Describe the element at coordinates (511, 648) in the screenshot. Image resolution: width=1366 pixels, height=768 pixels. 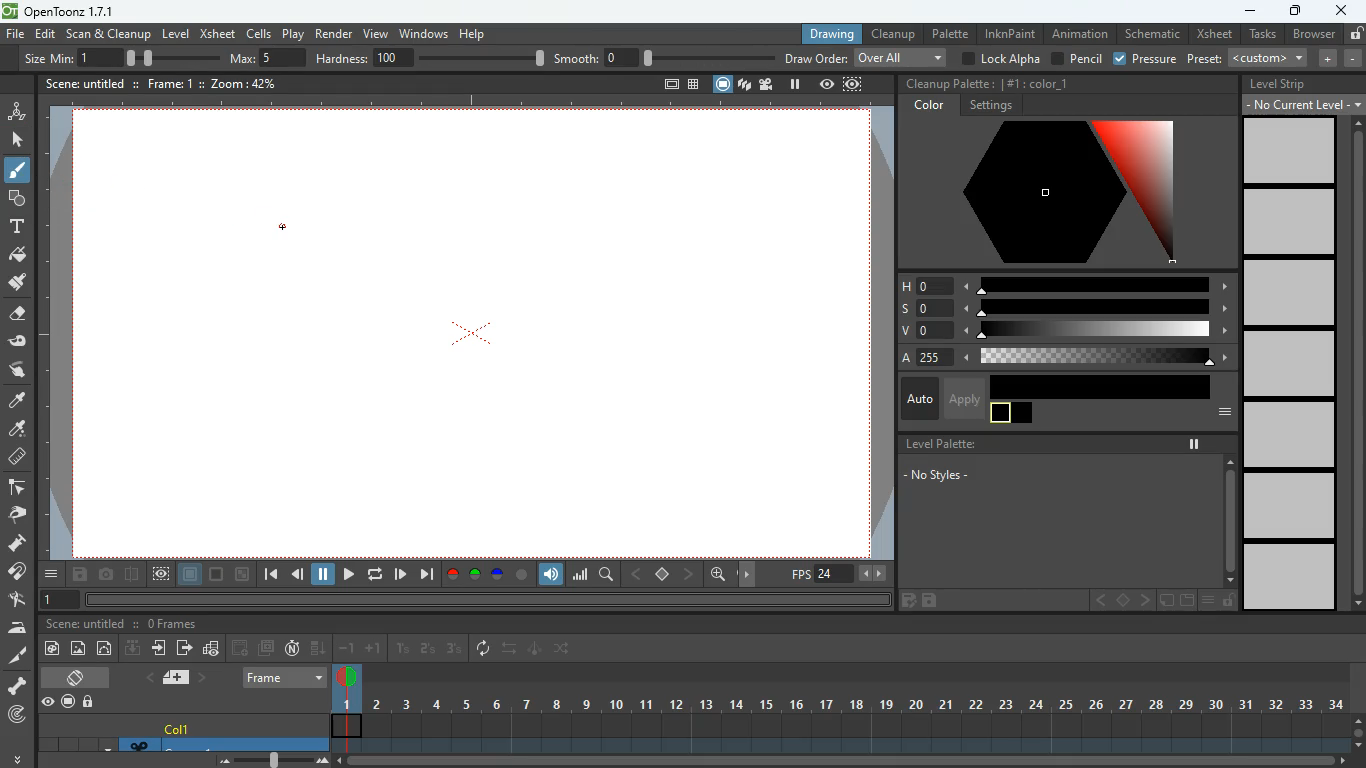
I see `swap` at that location.